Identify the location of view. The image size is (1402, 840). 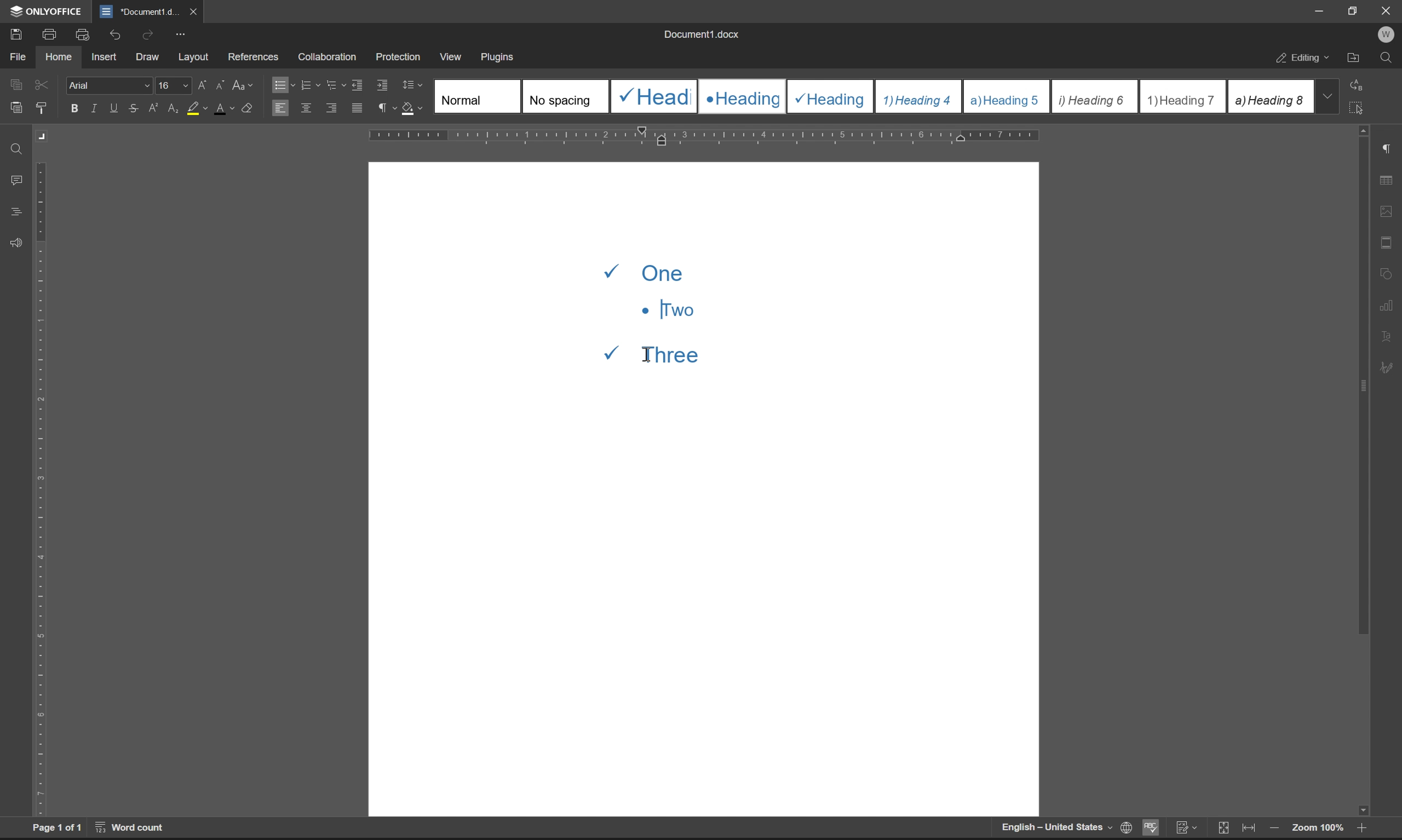
(449, 54).